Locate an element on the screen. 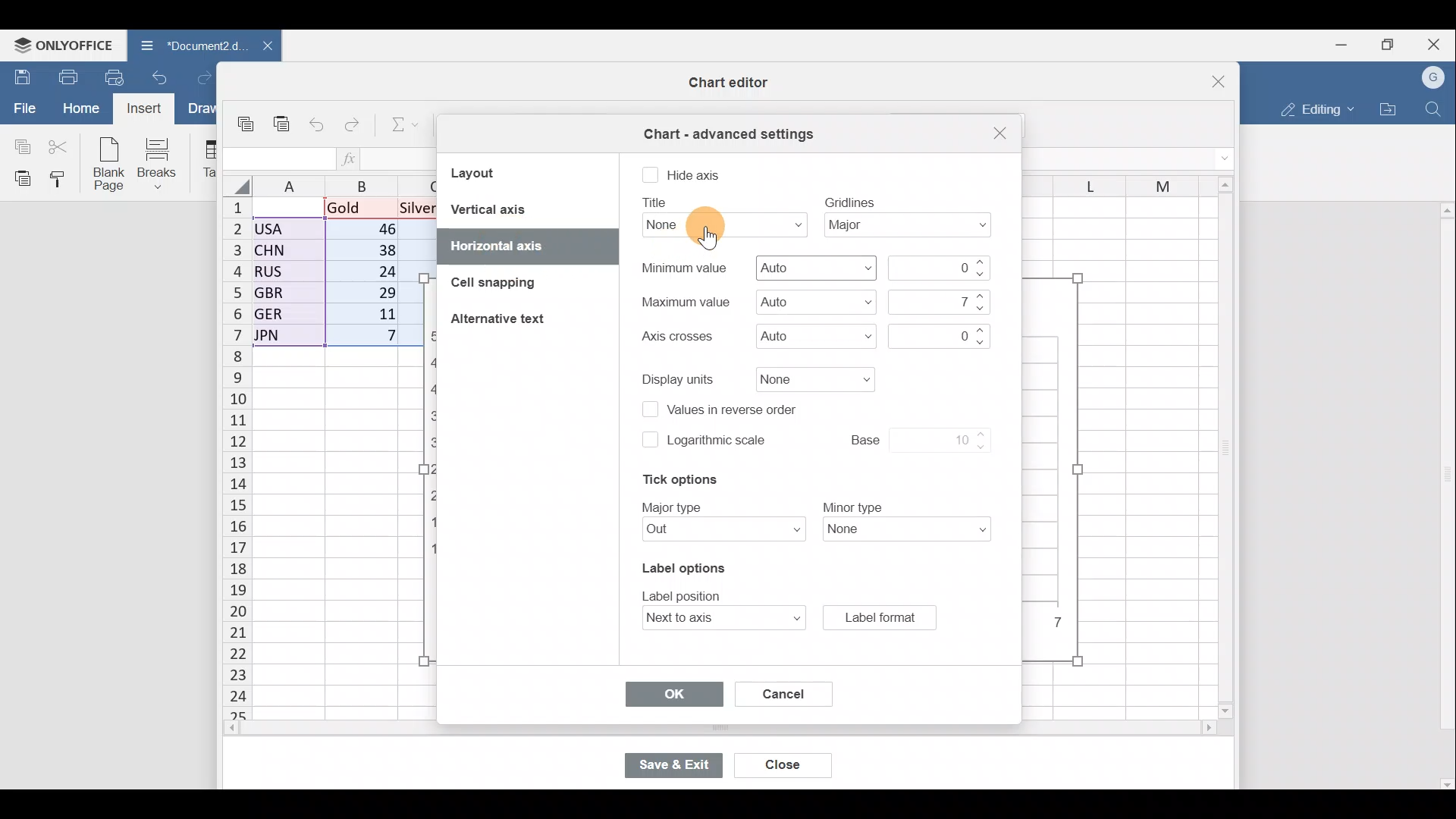  Insert function is located at coordinates (350, 158).